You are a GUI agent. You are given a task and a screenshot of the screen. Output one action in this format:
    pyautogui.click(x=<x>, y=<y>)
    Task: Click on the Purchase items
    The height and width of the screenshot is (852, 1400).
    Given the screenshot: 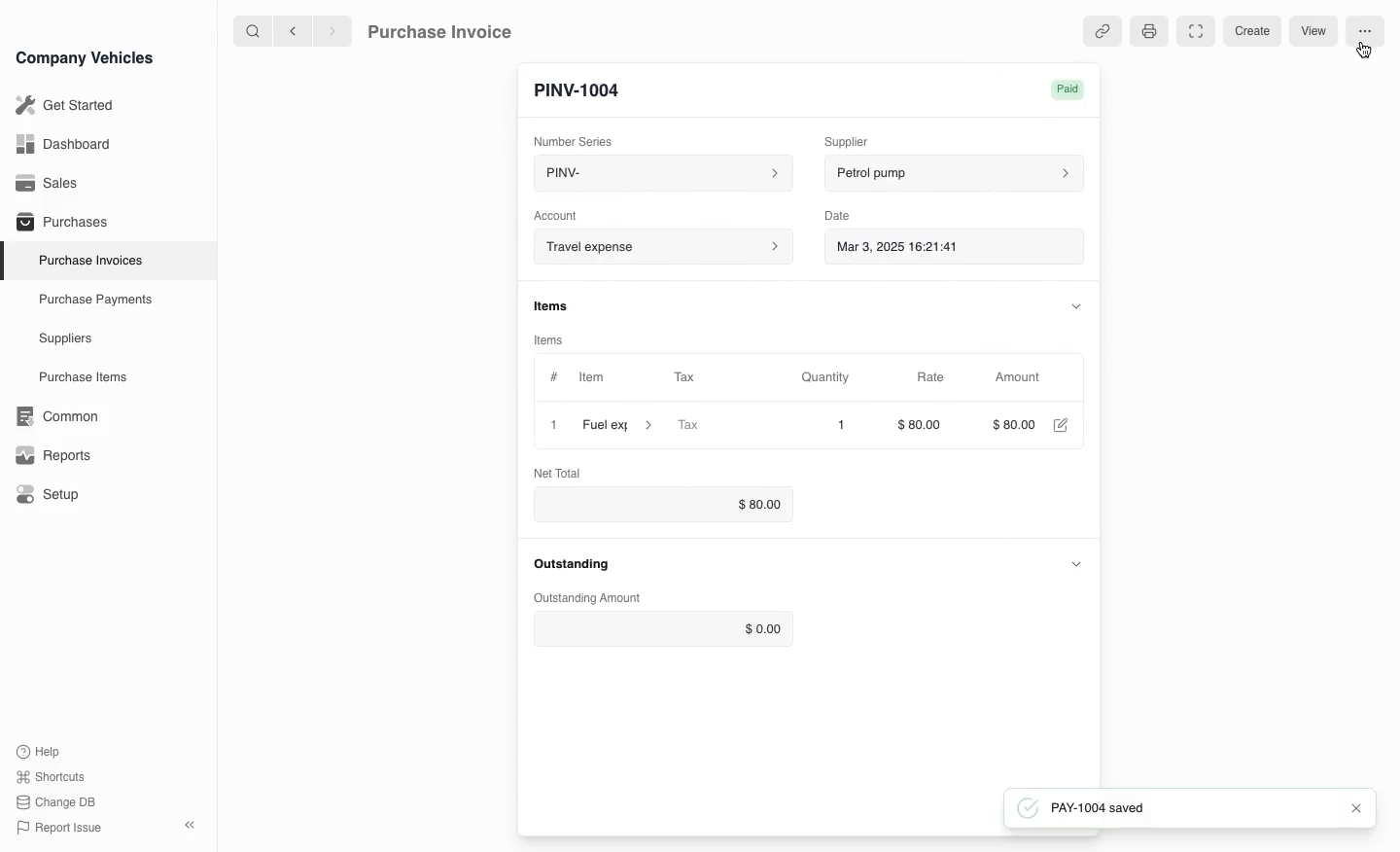 What is the action you would take?
    pyautogui.click(x=76, y=377)
    